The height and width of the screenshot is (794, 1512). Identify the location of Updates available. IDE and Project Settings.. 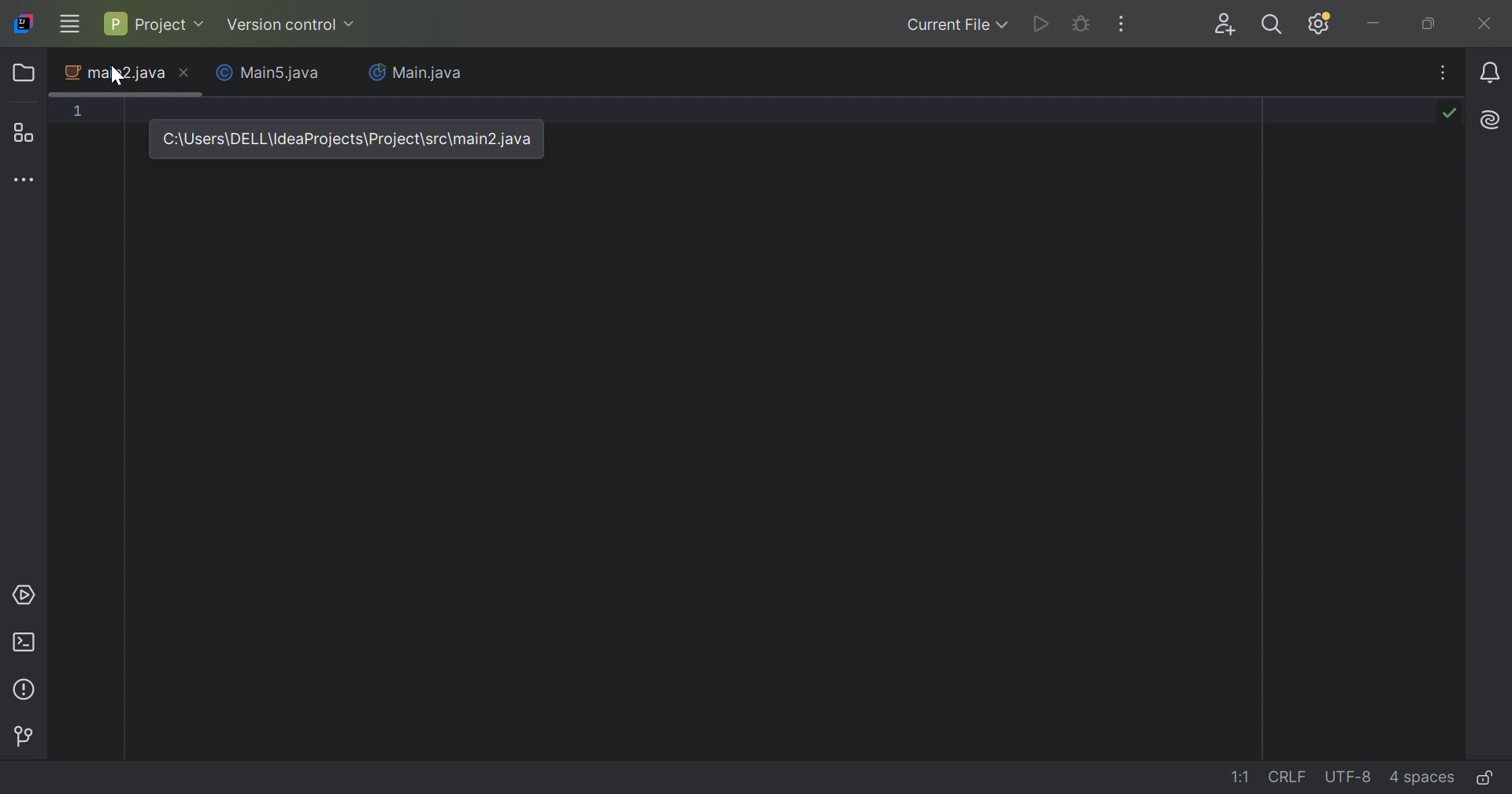
(1321, 24).